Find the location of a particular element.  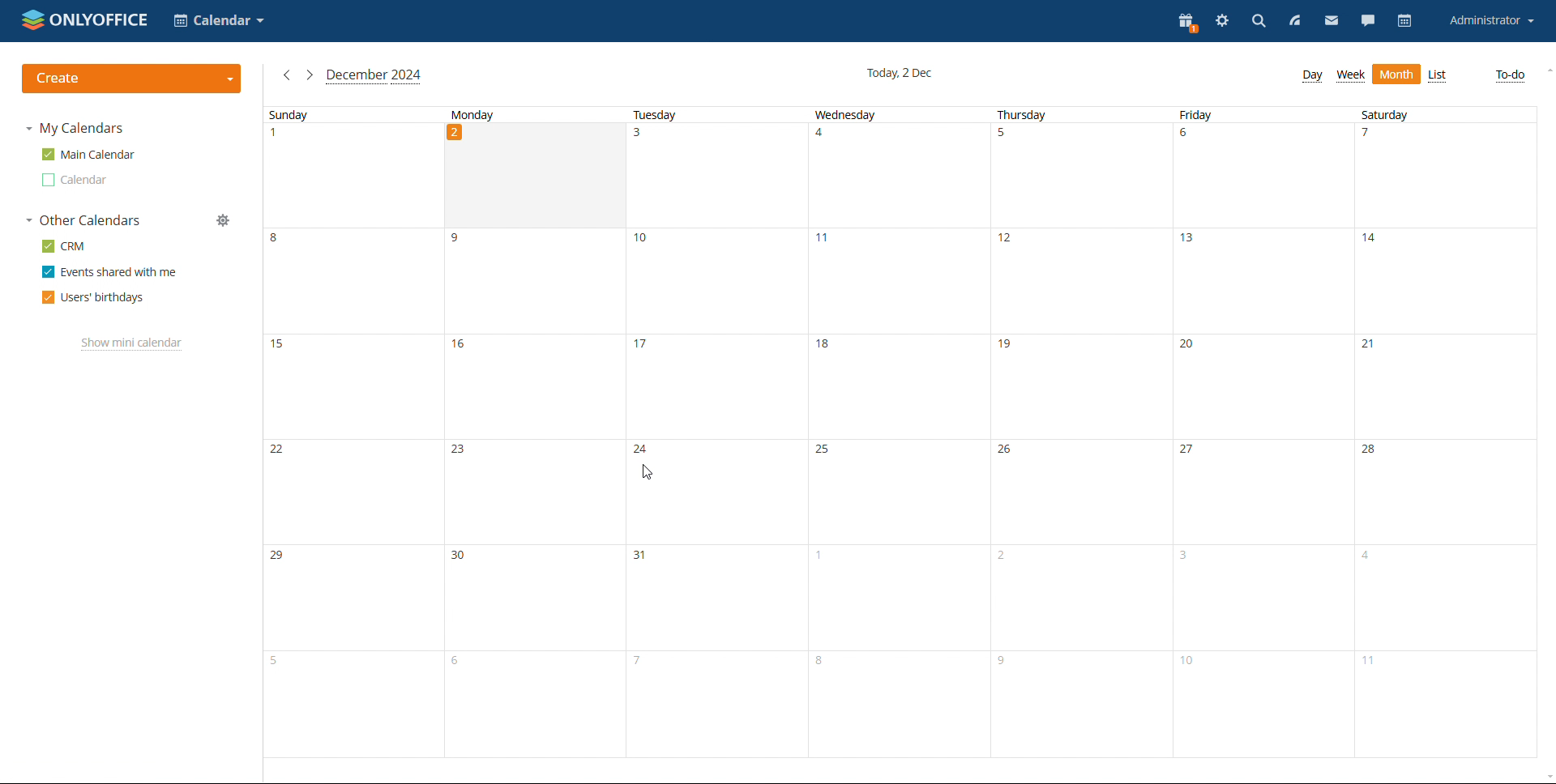

7 is located at coordinates (637, 661).